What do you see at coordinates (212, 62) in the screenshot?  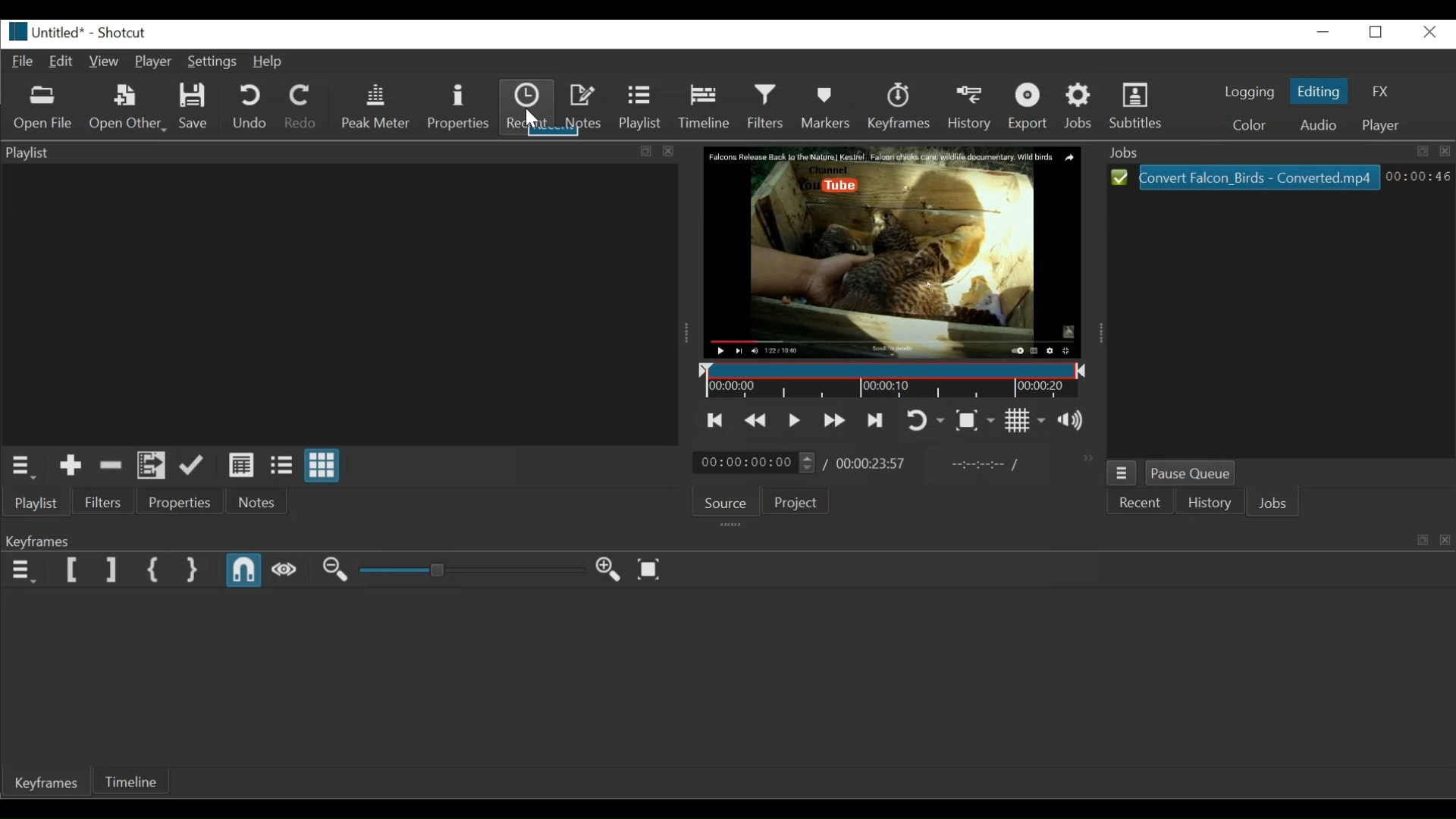 I see `Settings` at bounding box center [212, 62].